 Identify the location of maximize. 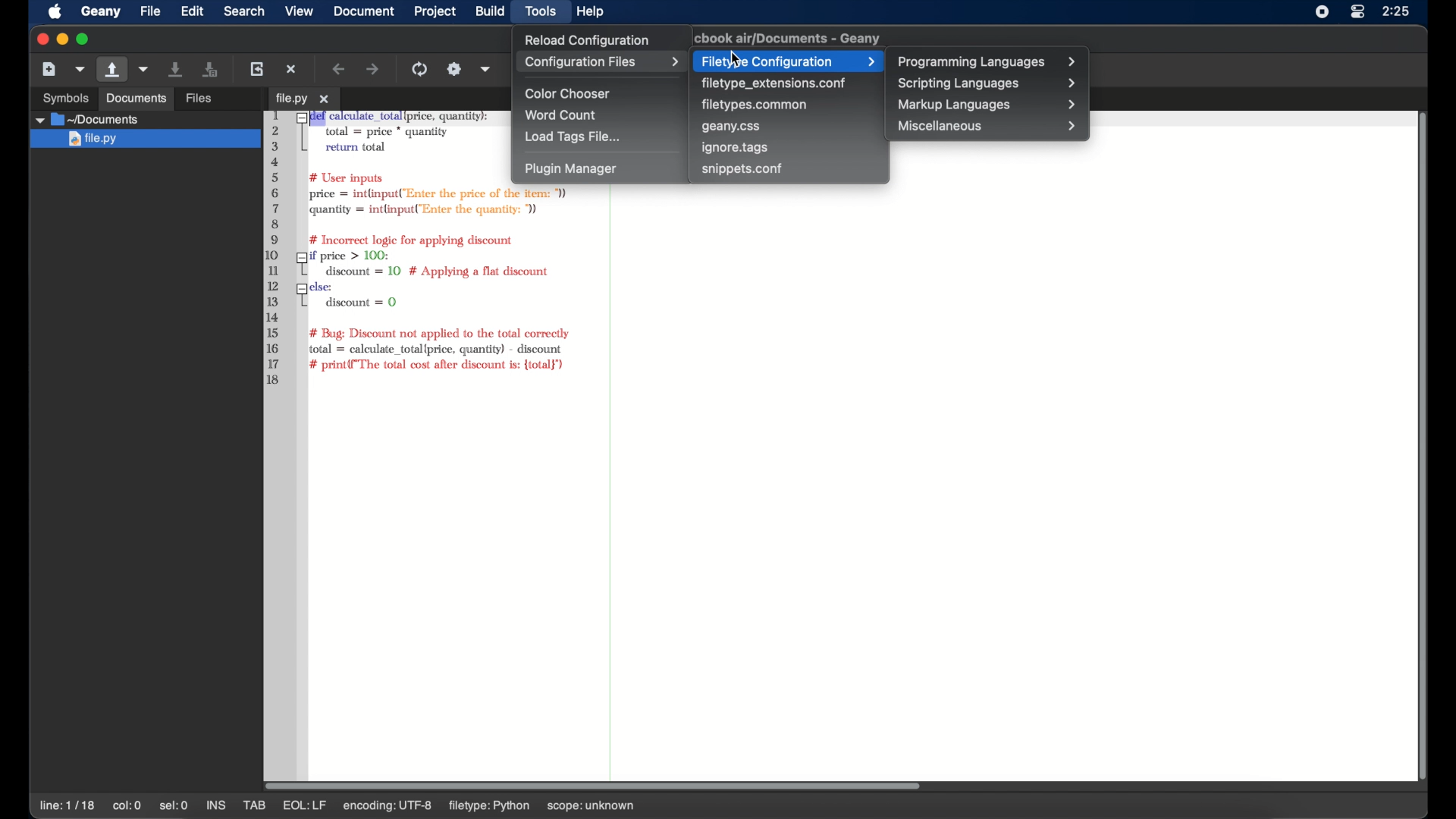
(83, 39).